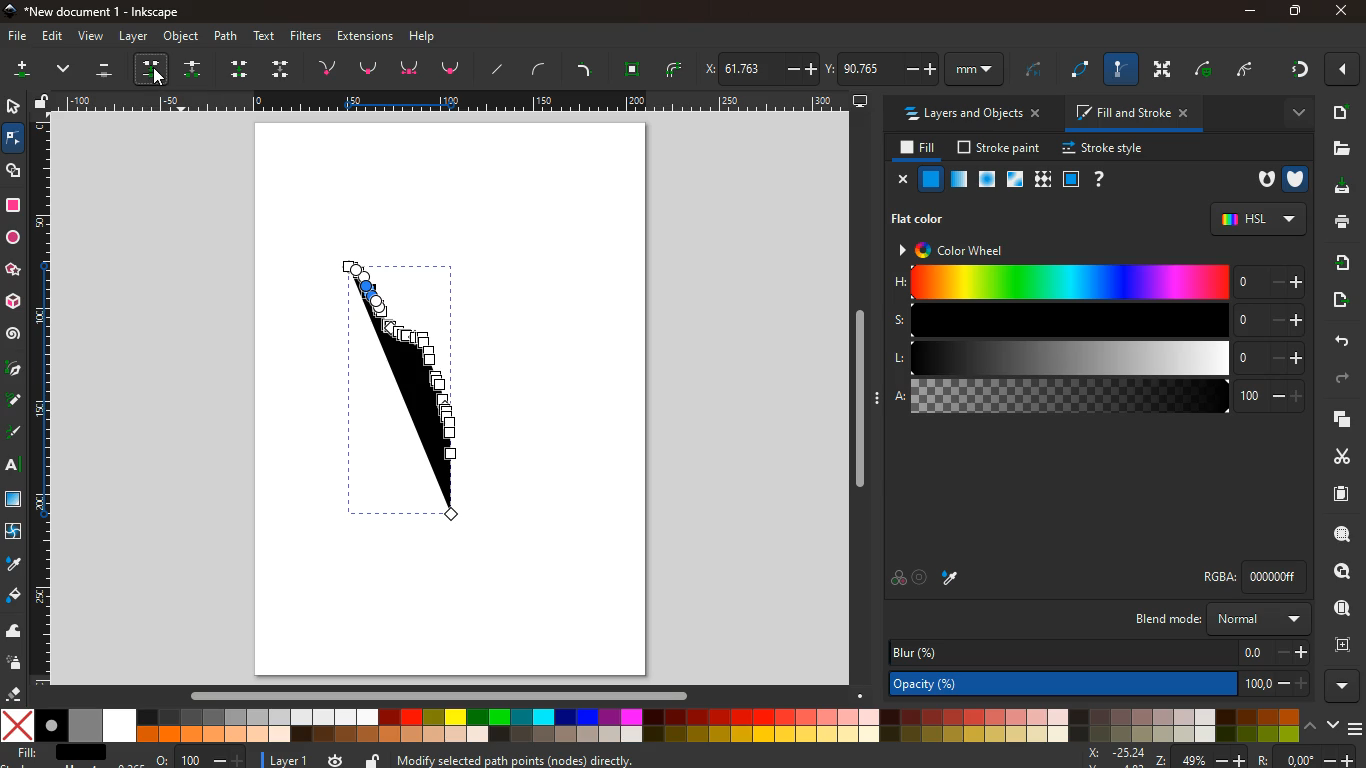 This screenshot has height=768, width=1366. Describe the element at coordinates (453, 72) in the screenshot. I see `bottom` at that location.